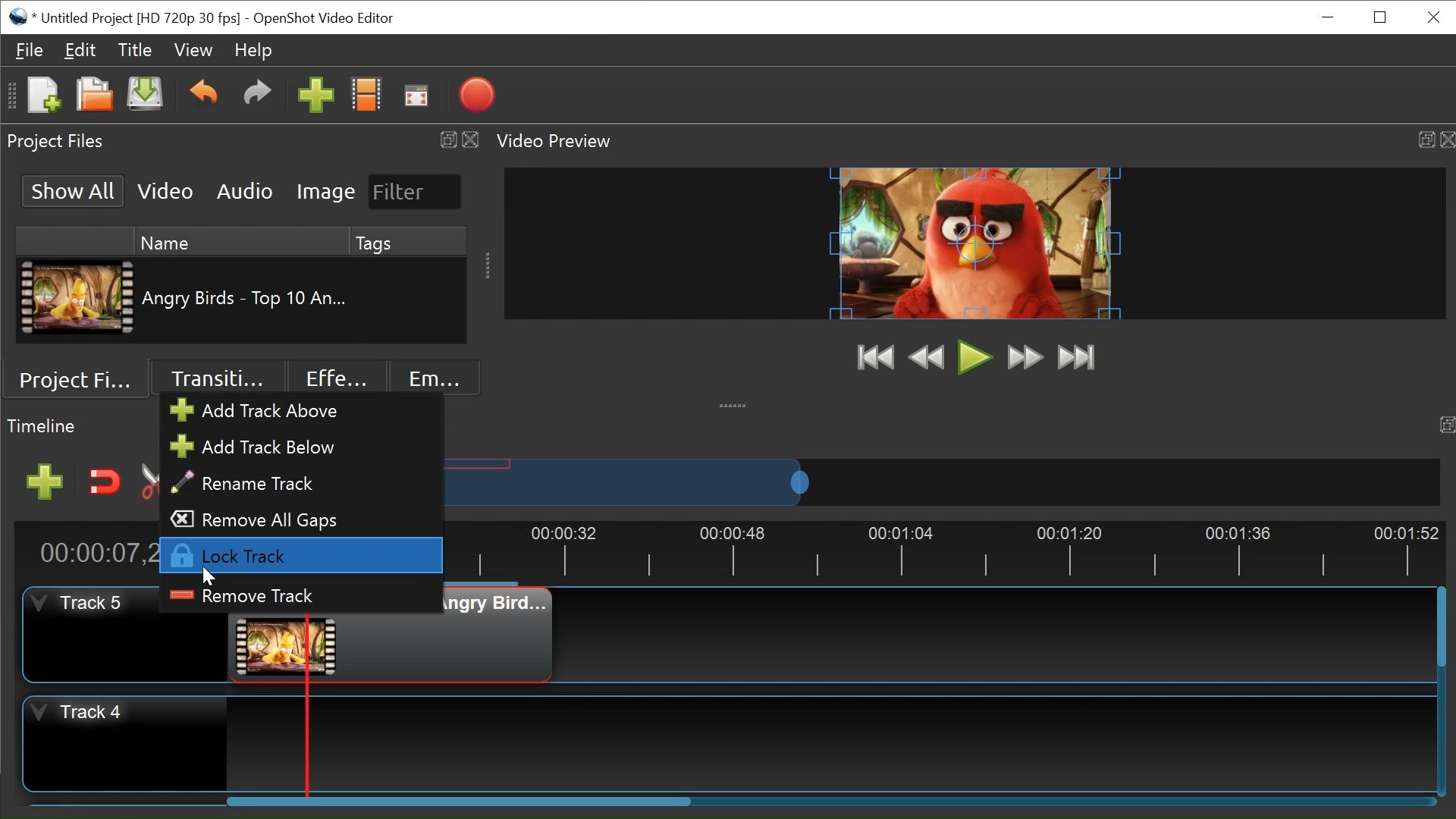  What do you see at coordinates (260, 96) in the screenshot?
I see `Redo` at bounding box center [260, 96].